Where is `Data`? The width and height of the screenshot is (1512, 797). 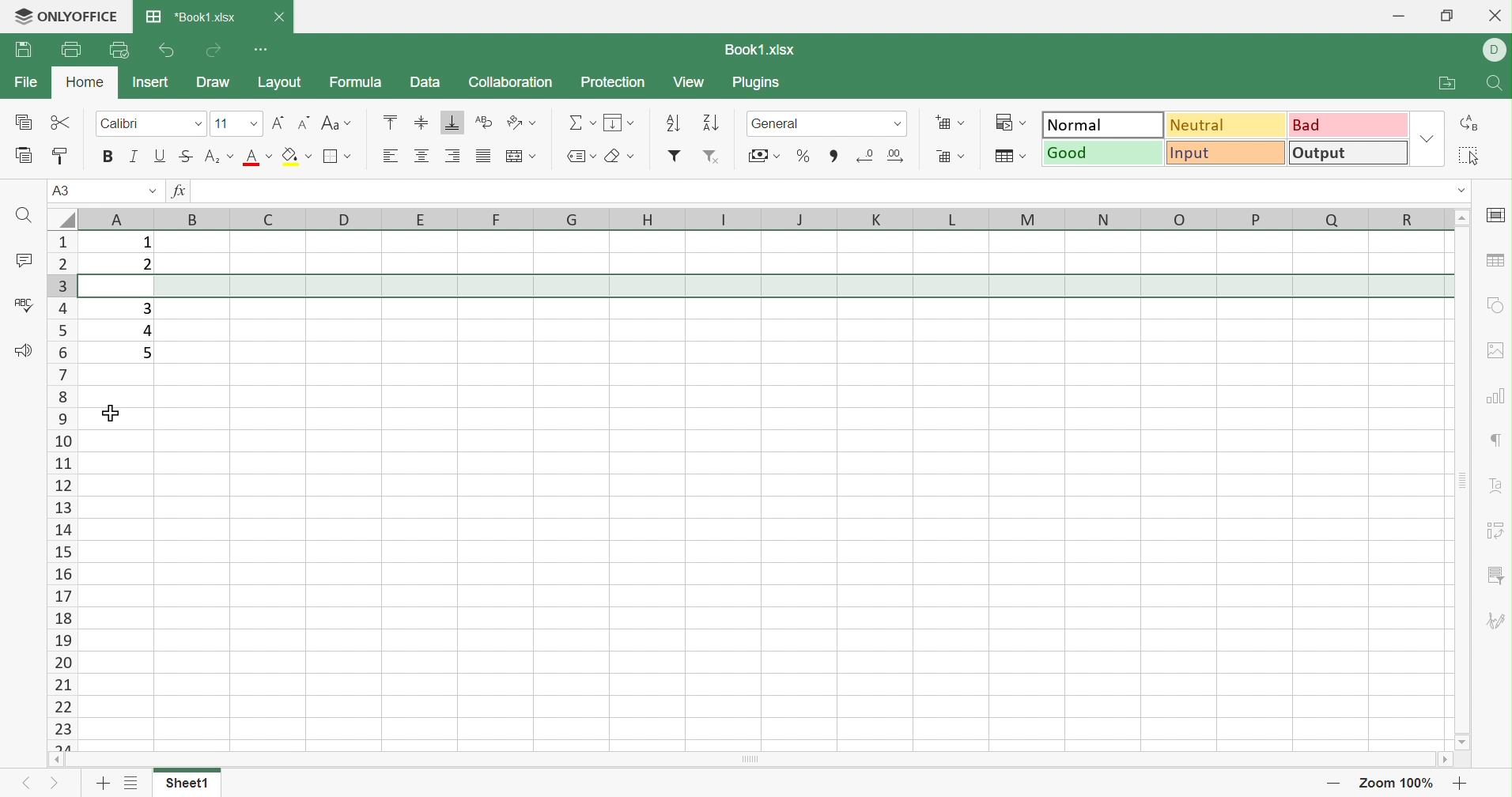
Data is located at coordinates (424, 83).